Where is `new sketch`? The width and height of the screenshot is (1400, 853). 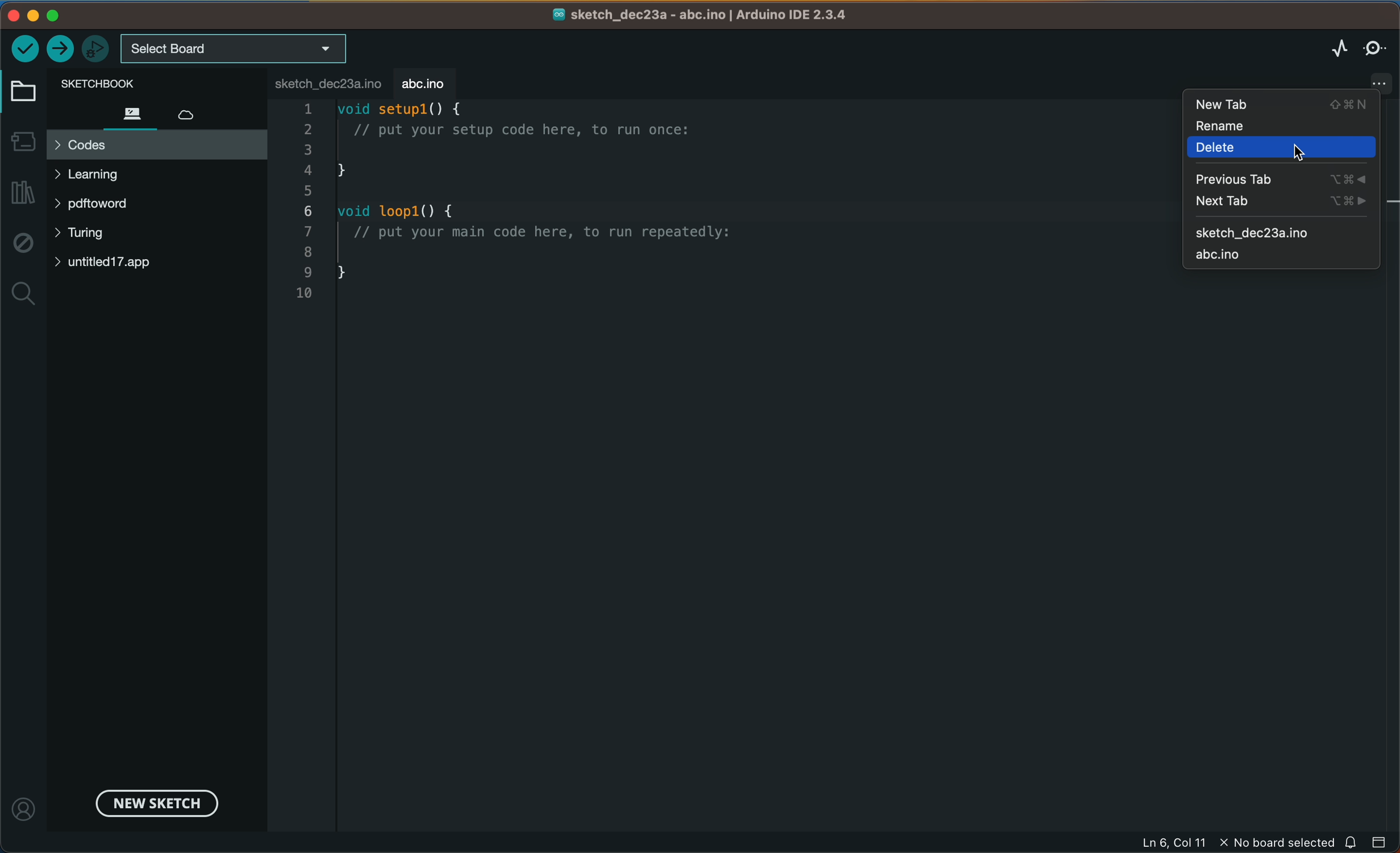 new sketch is located at coordinates (160, 804).